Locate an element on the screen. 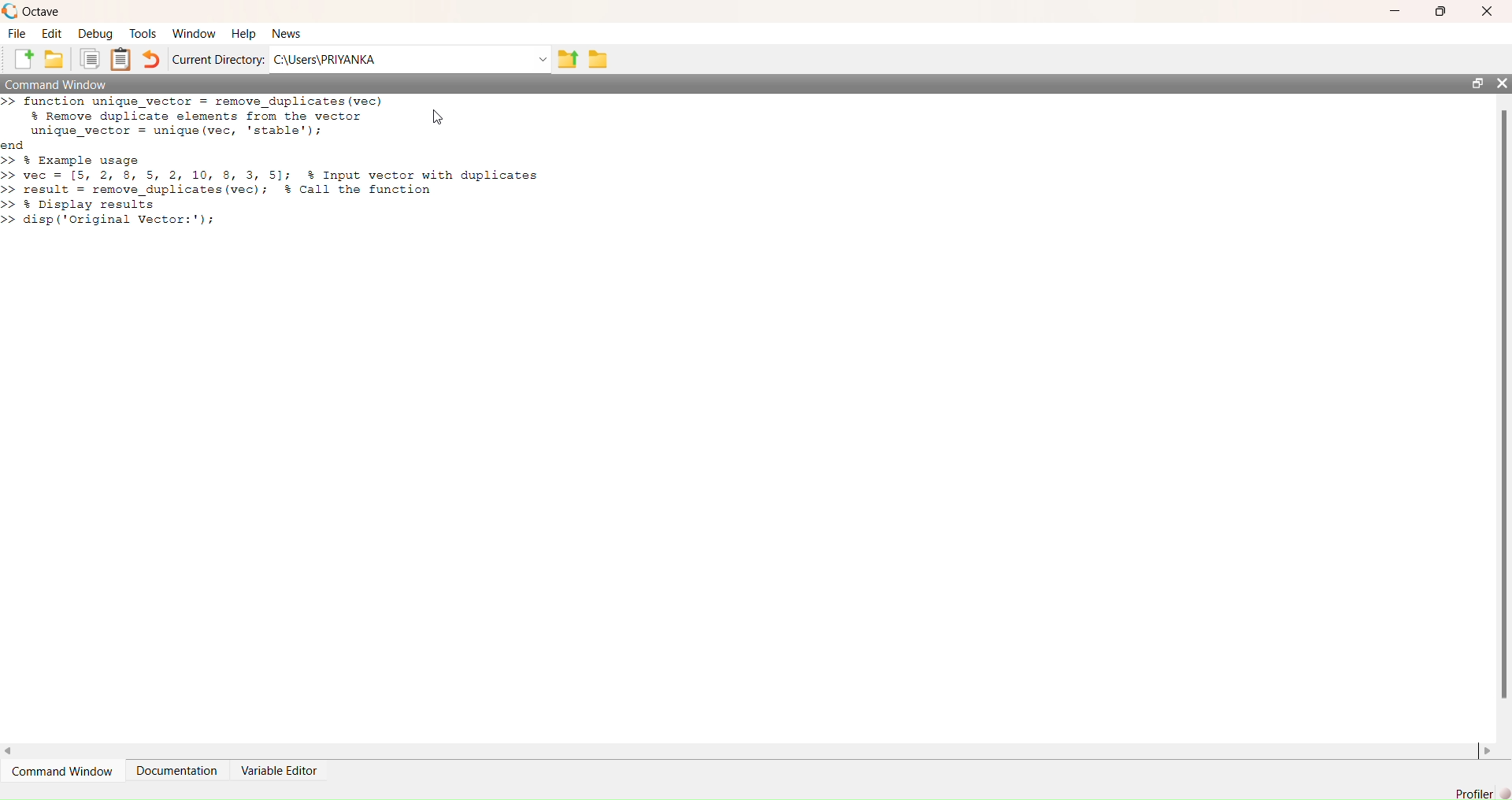 The height and width of the screenshot is (800, 1512). add file is located at coordinates (24, 58).